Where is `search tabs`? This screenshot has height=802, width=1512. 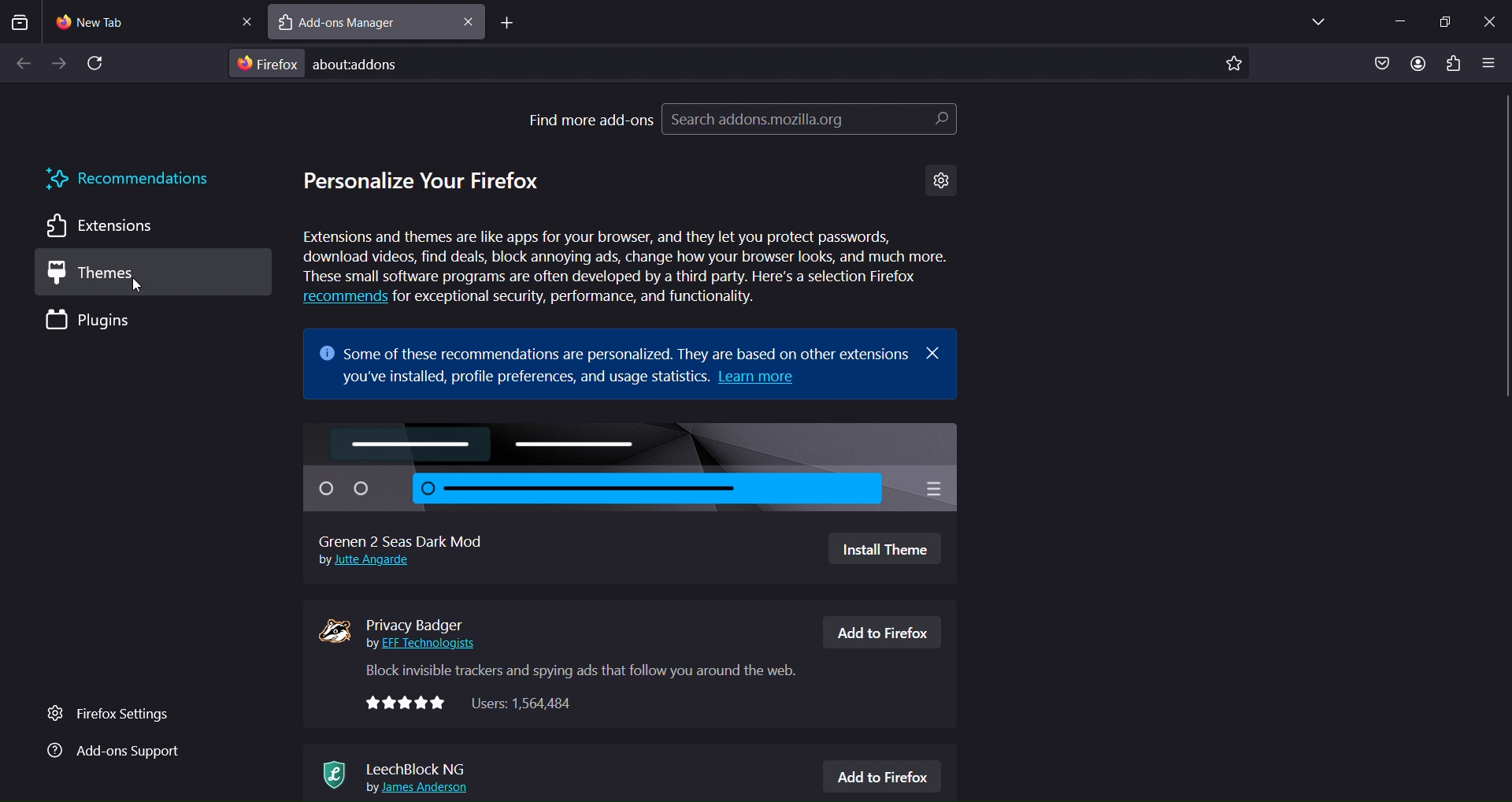 search tabs is located at coordinates (20, 22).